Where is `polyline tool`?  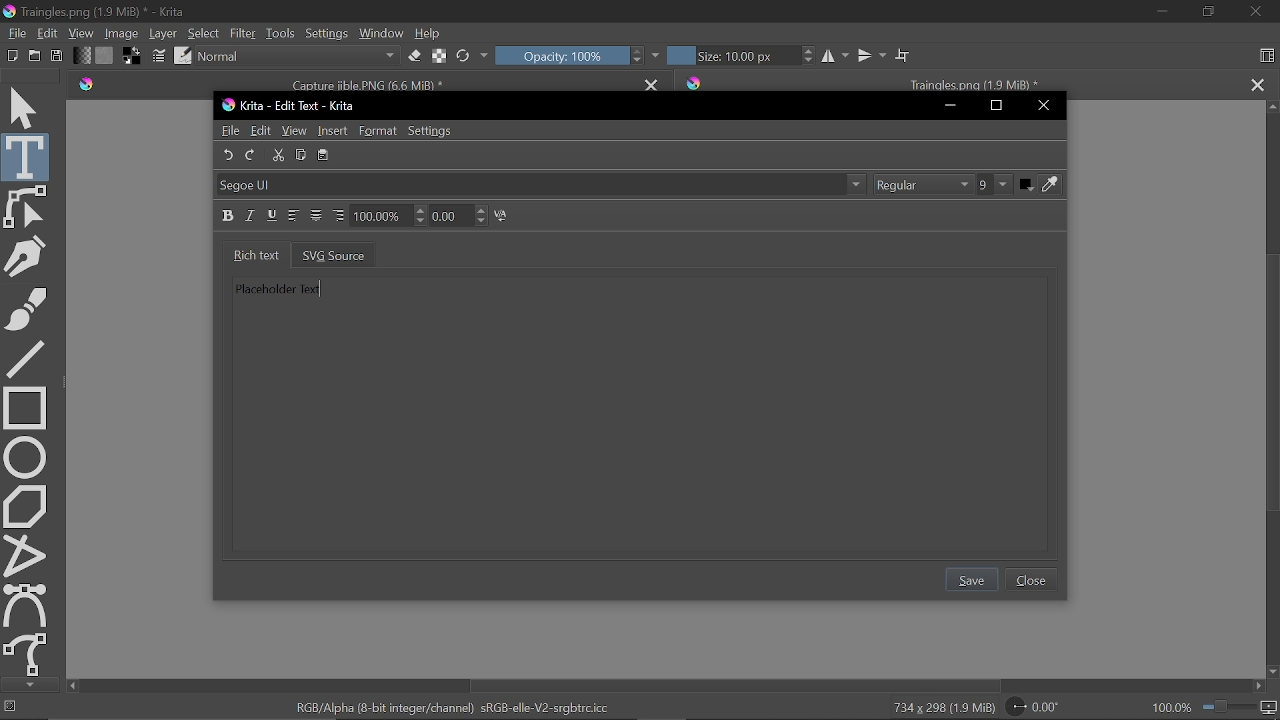 polyline tool is located at coordinates (27, 554).